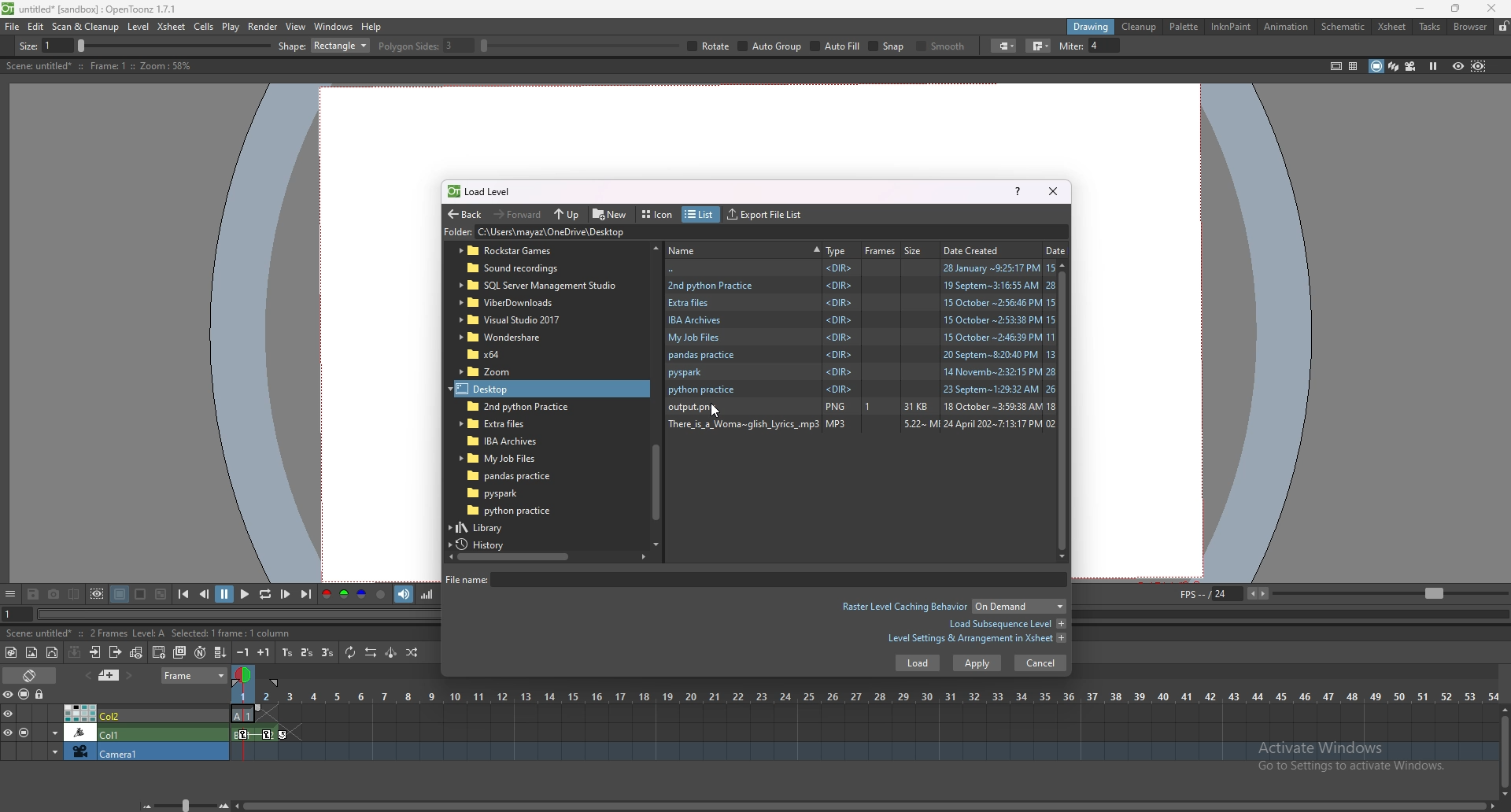 Image resolution: width=1511 pixels, height=812 pixels. What do you see at coordinates (140, 27) in the screenshot?
I see `level` at bounding box center [140, 27].